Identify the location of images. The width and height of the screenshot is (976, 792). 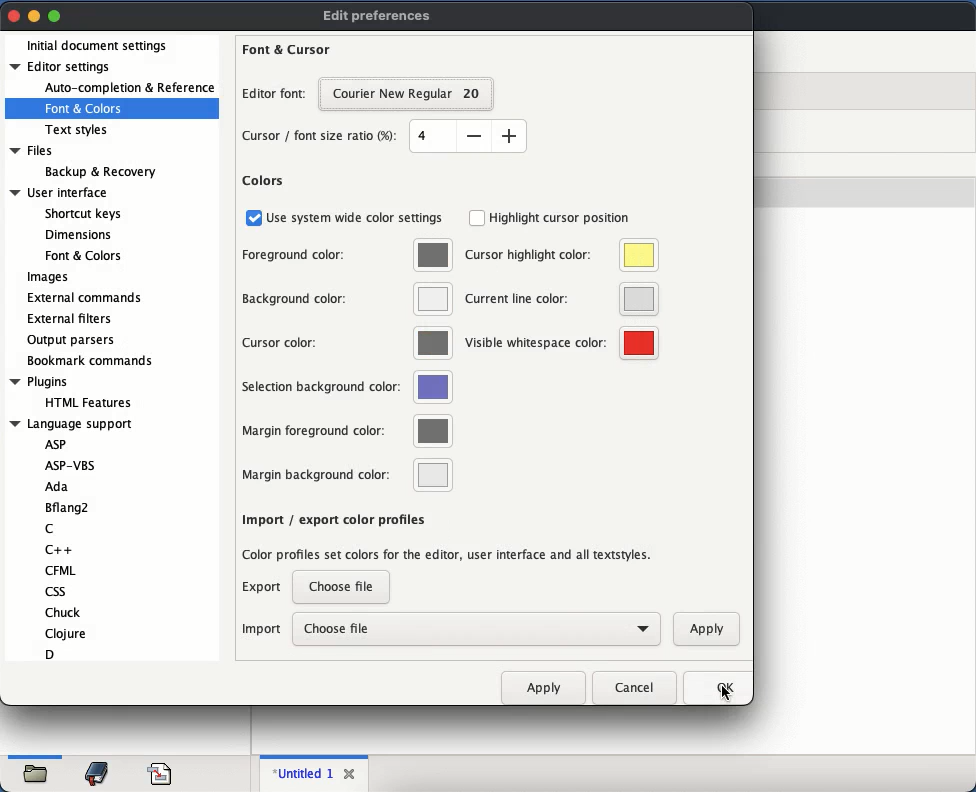
(47, 278).